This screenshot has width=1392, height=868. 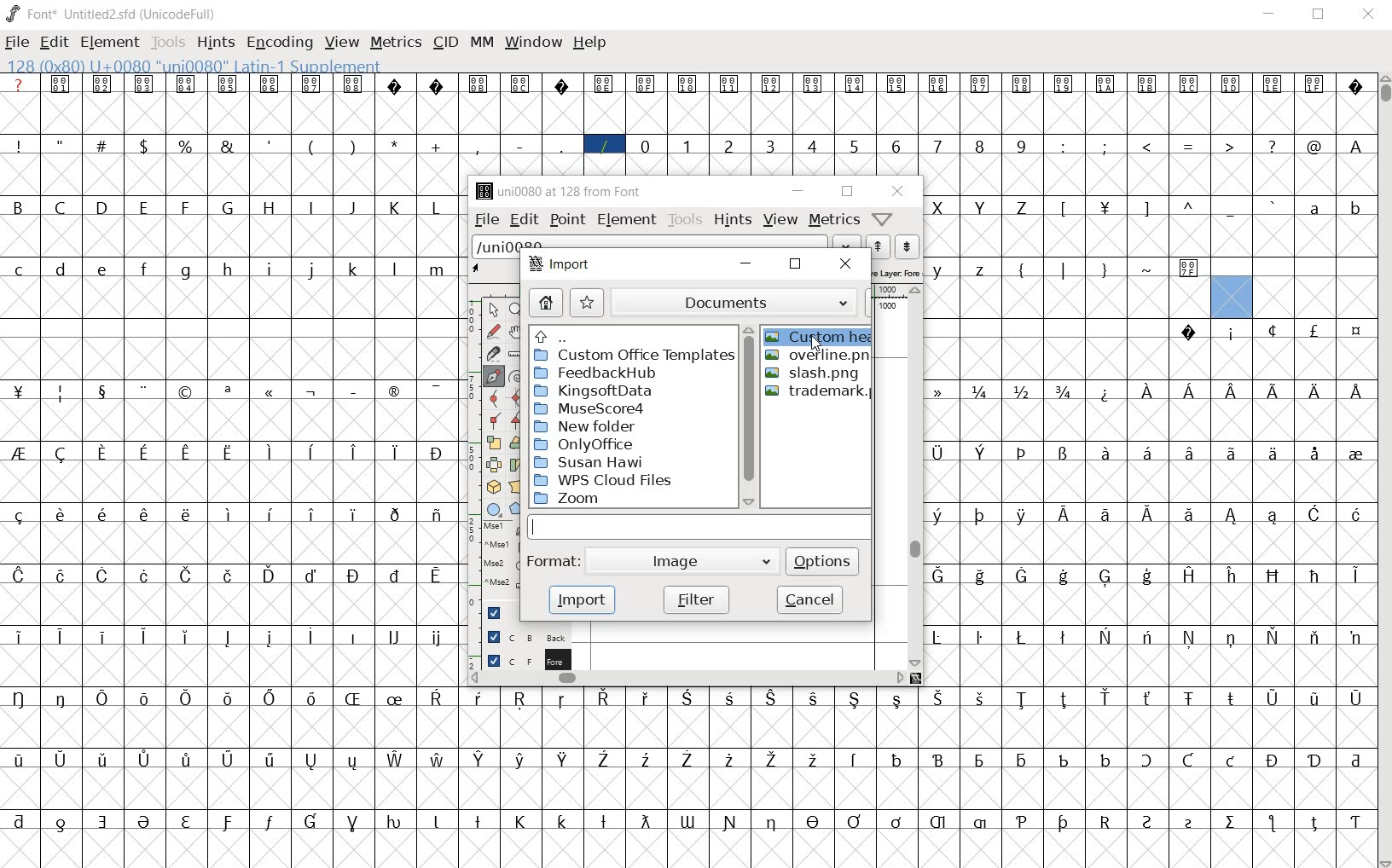 I want to click on glyph, so click(x=981, y=271).